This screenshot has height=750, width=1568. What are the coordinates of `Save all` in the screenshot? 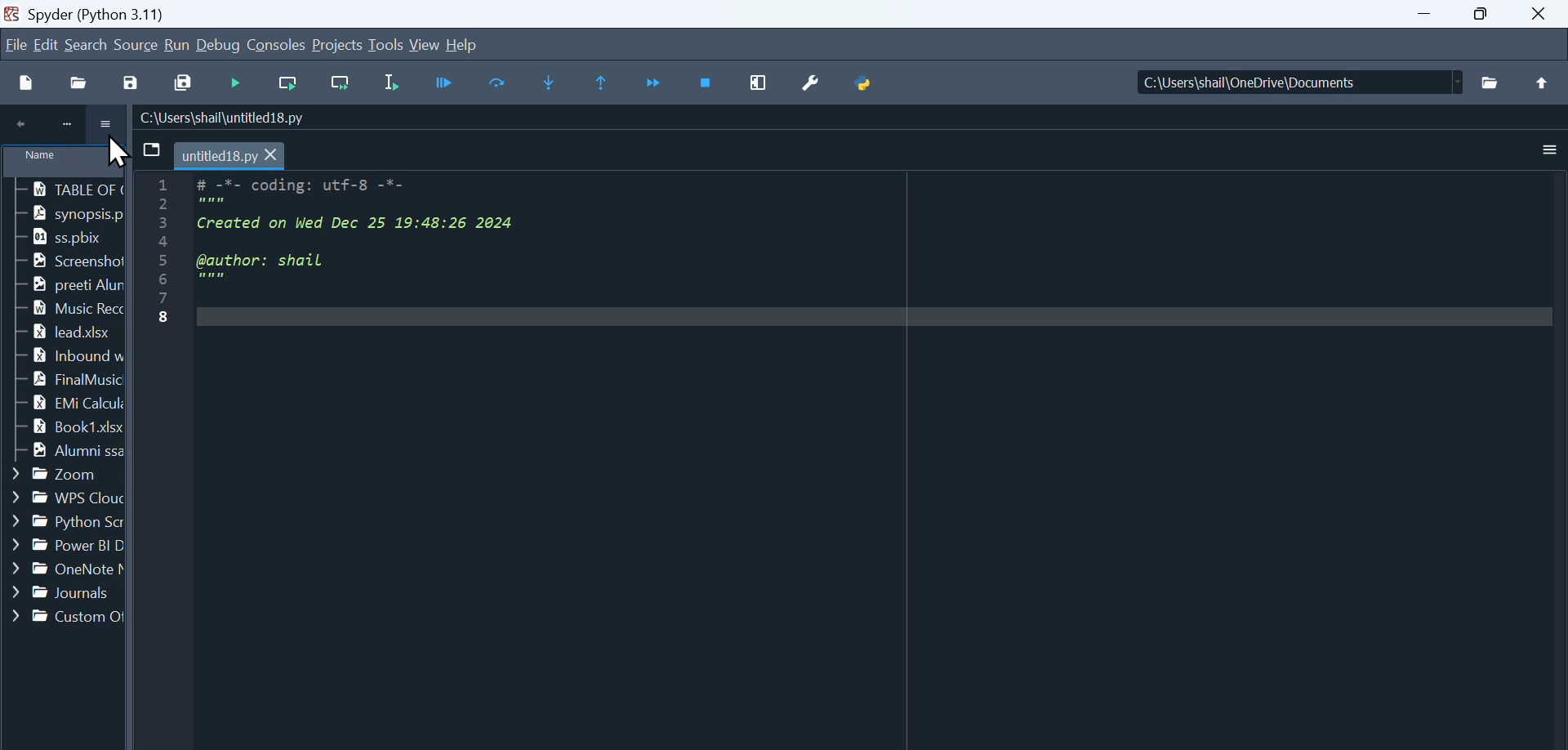 It's located at (181, 81).